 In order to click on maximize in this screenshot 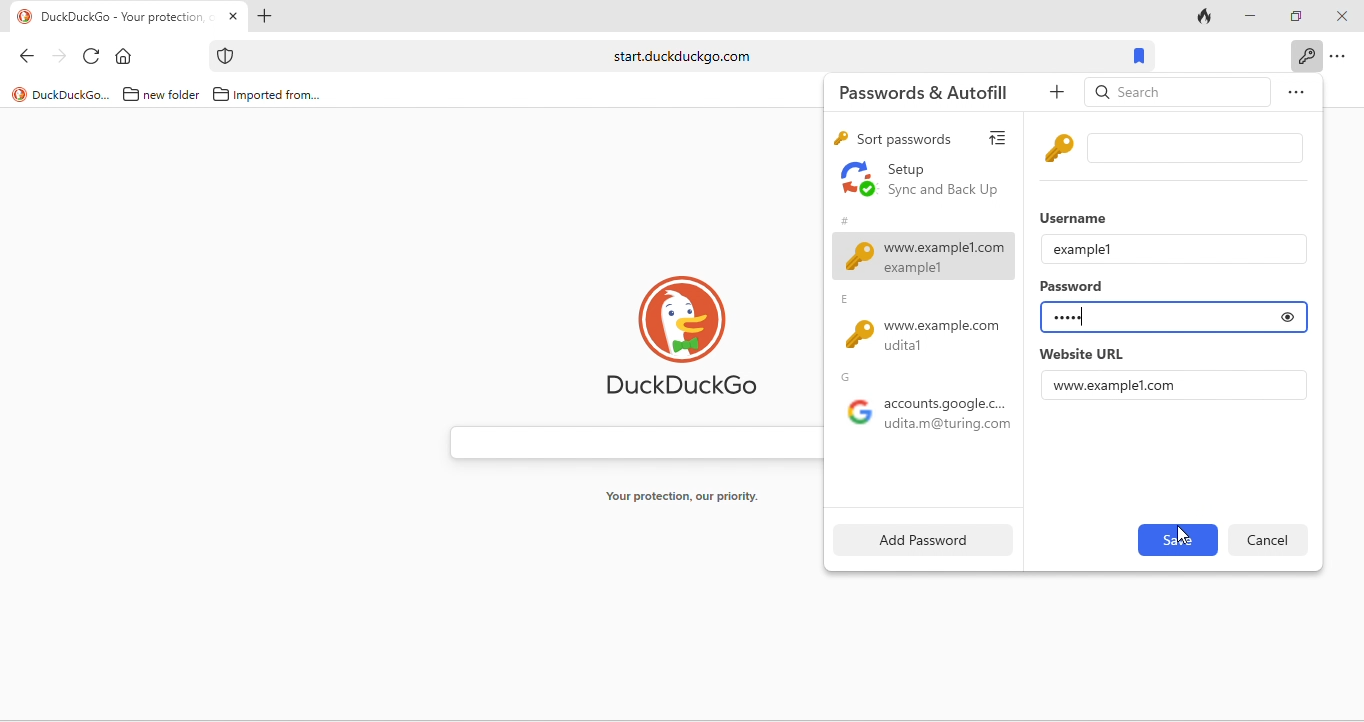, I will do `click(1292, 14)`.